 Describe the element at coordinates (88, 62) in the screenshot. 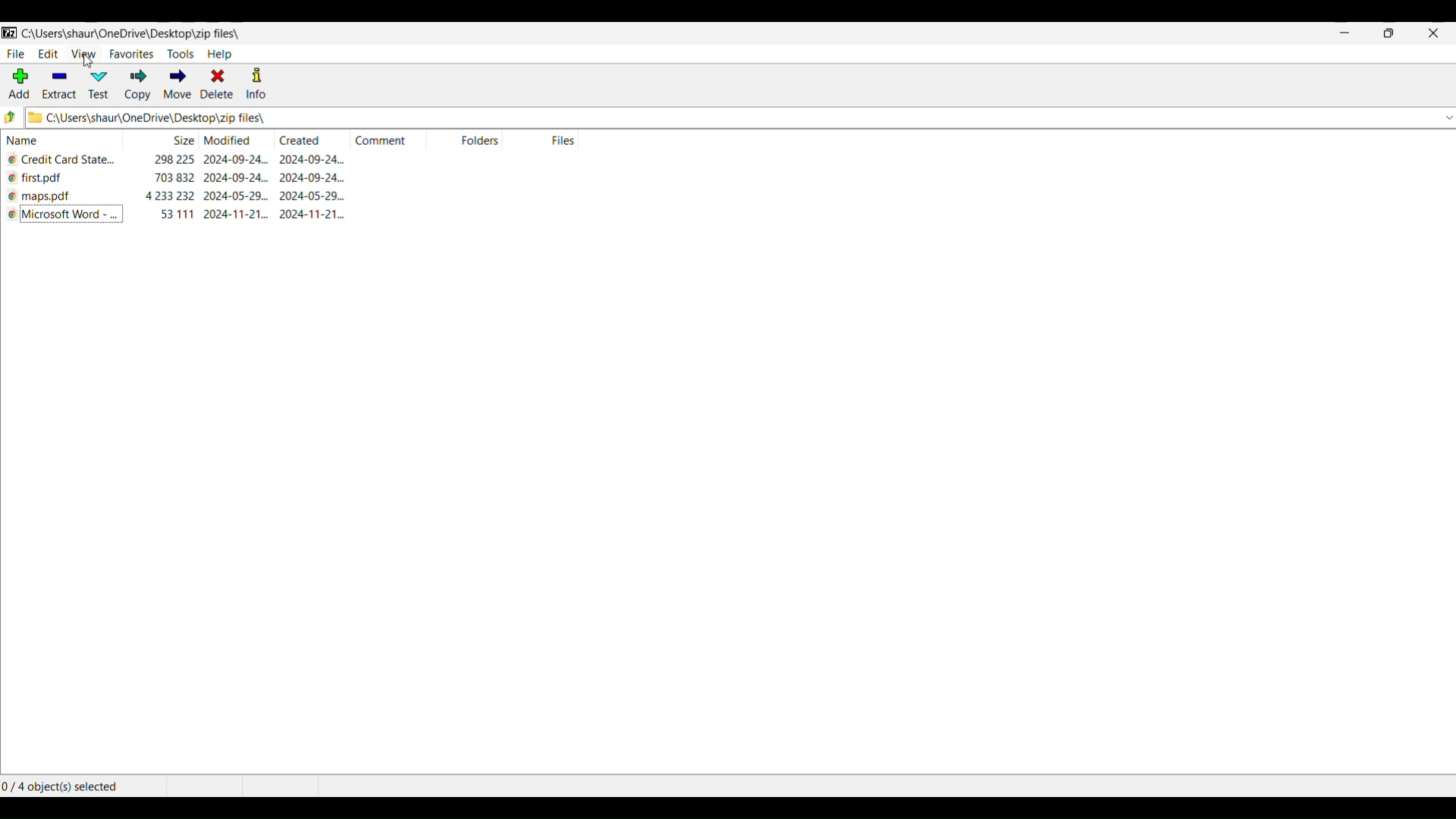

I see `cursor` at that location.